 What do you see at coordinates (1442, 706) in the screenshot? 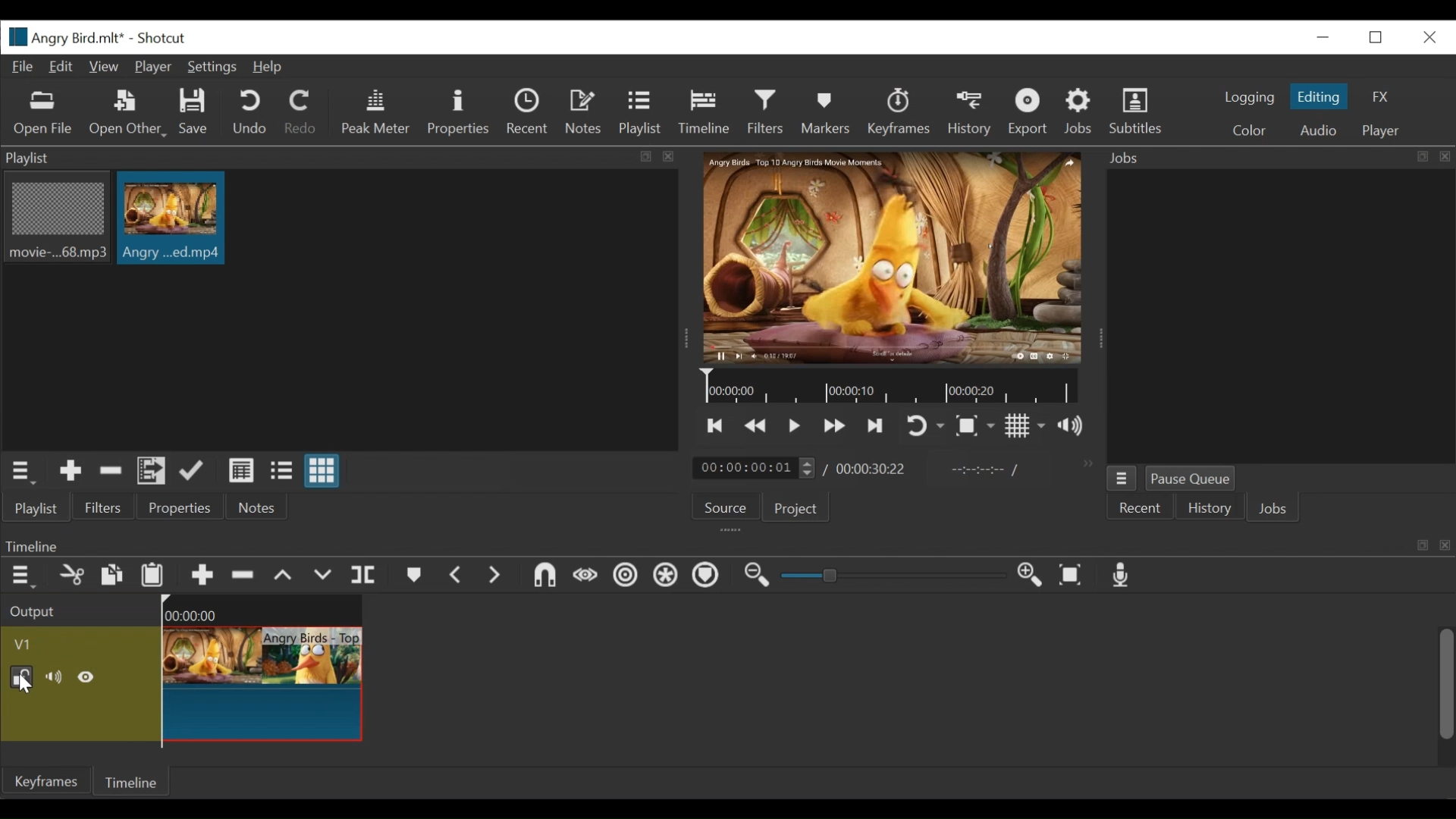
I see `vertical scroll bar` at bounding box center [1442, 706].